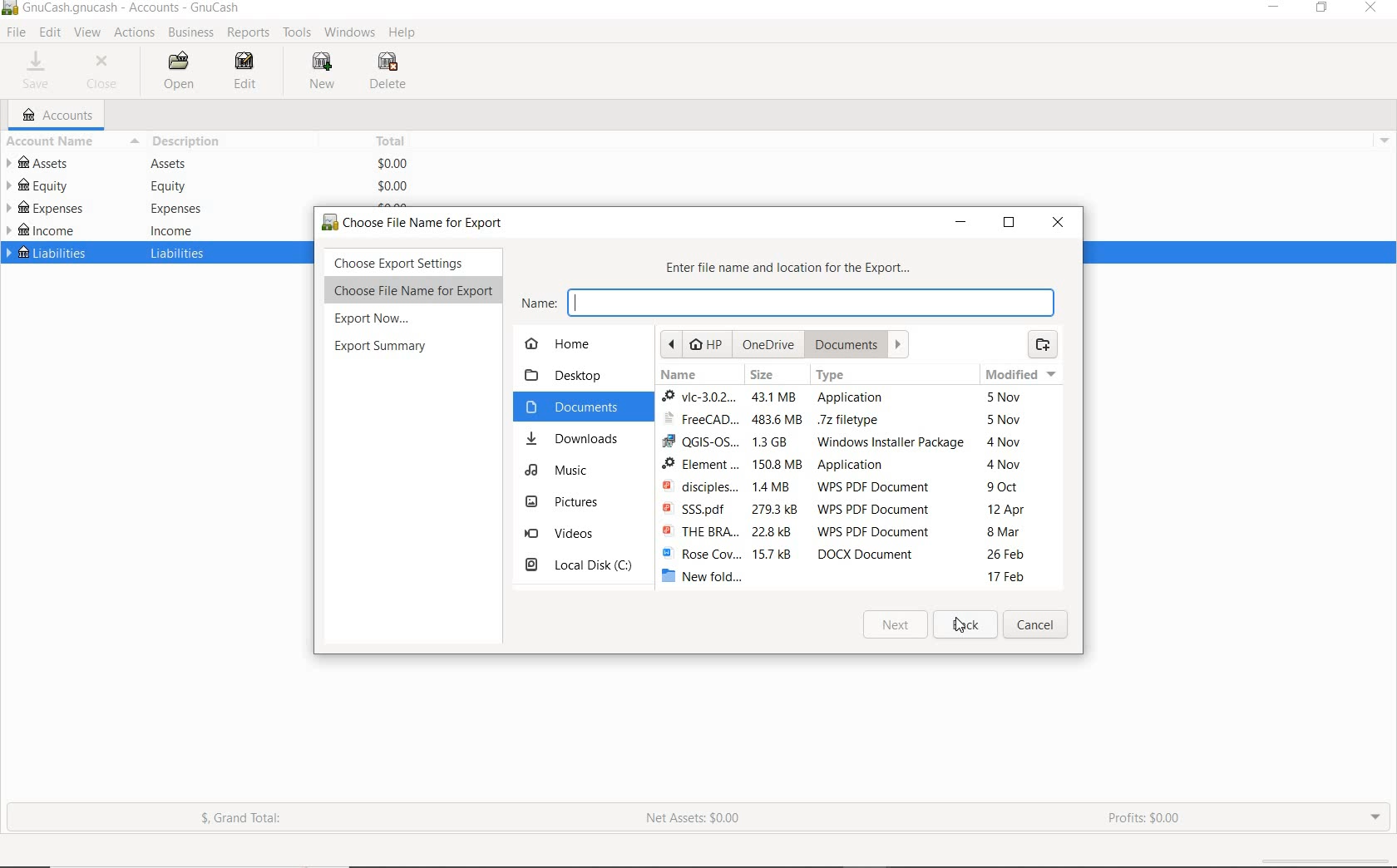 The image size is (1397, 868). What do you see at coordinates (49, 143) in the screenshot?
I see `ACCOUNT NAME` at bounding box center [49, 143].